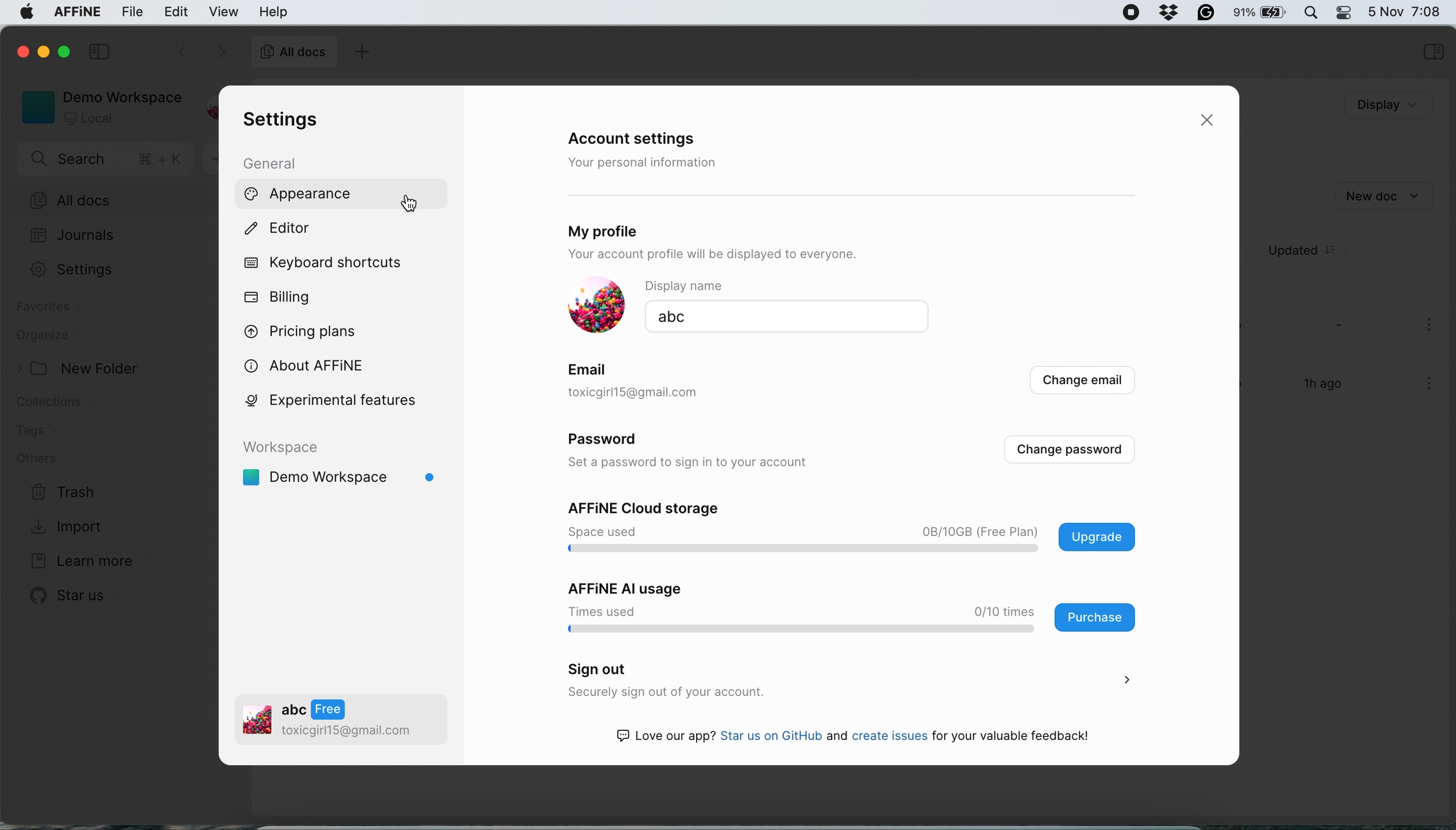 The image size is (1456, 830). I want to click on settings, so click(285, 121).